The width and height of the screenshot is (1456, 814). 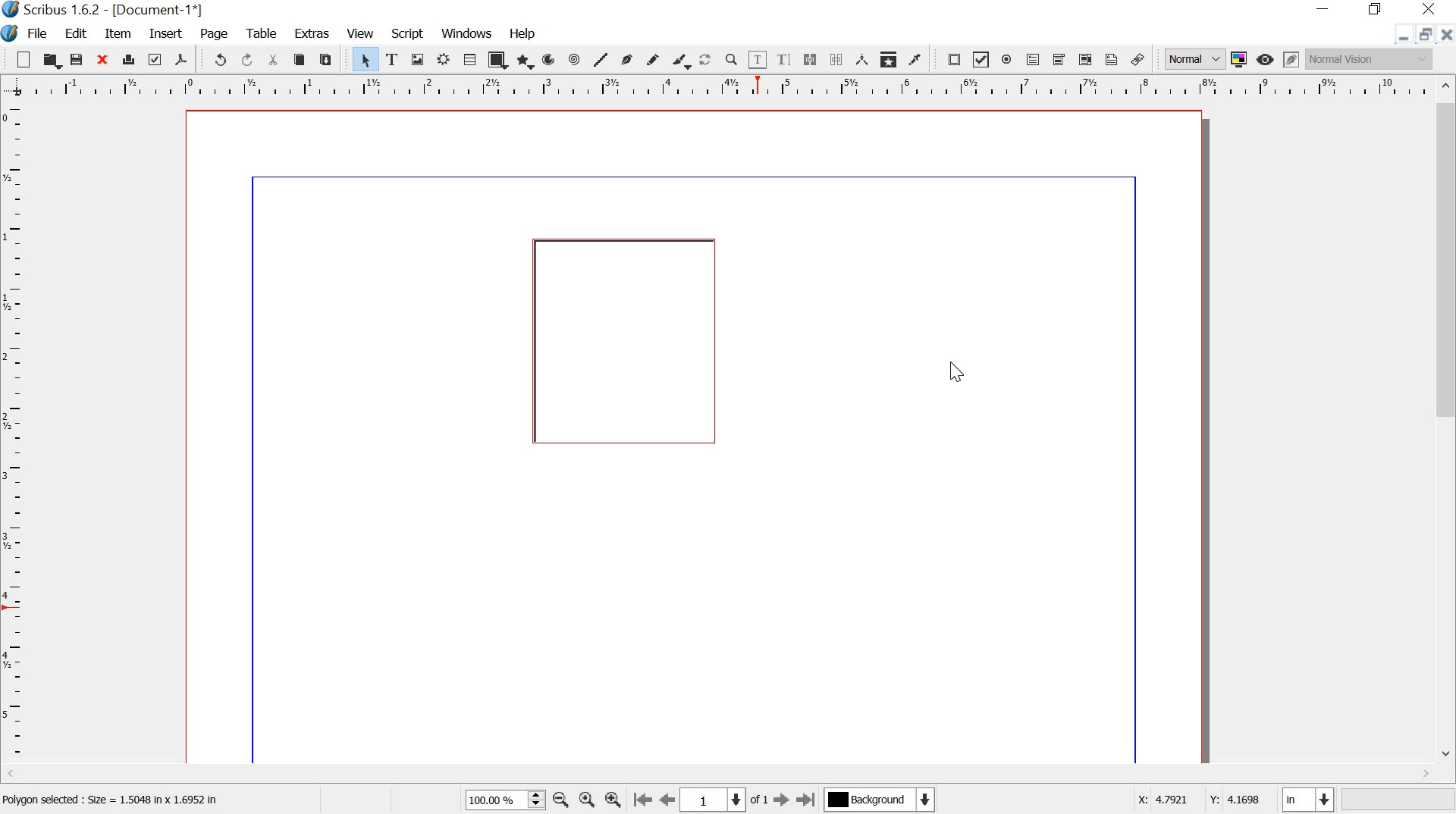 What do you see at coordinates (1137, 60) in the screenshot?
I see `link annotation` at bounding box center [1137, 60].